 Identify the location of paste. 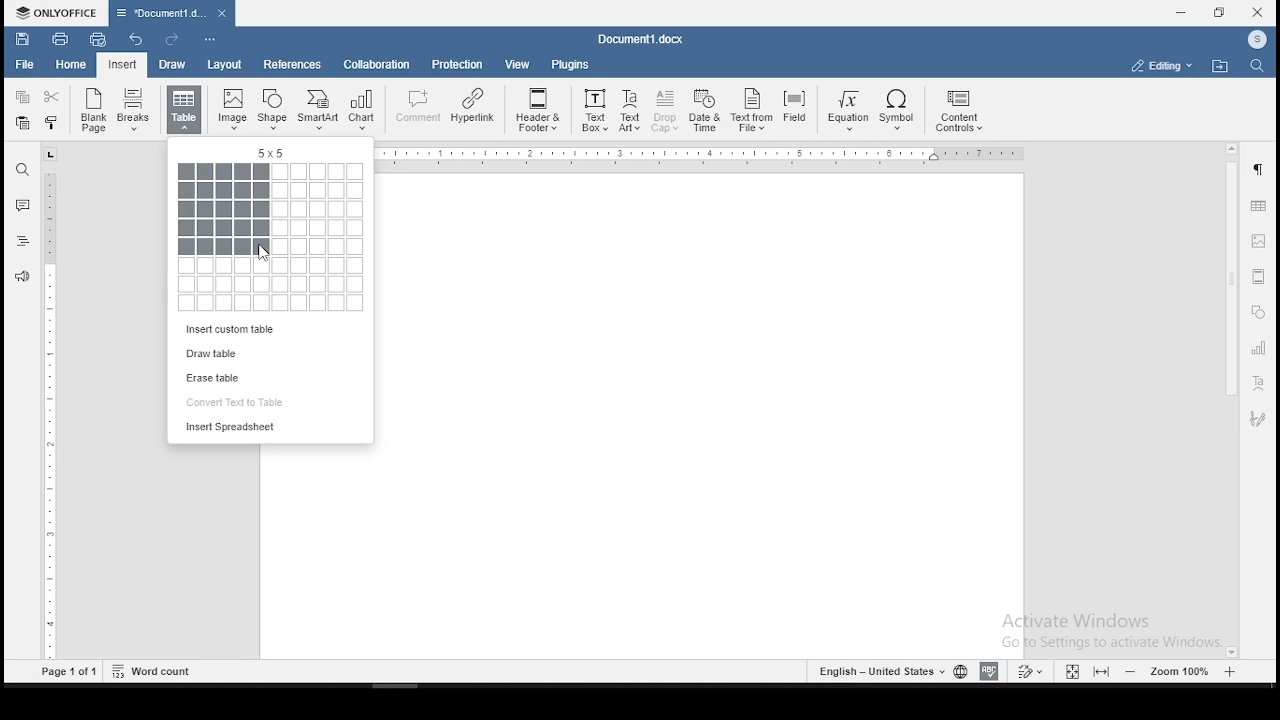
(23, 126).